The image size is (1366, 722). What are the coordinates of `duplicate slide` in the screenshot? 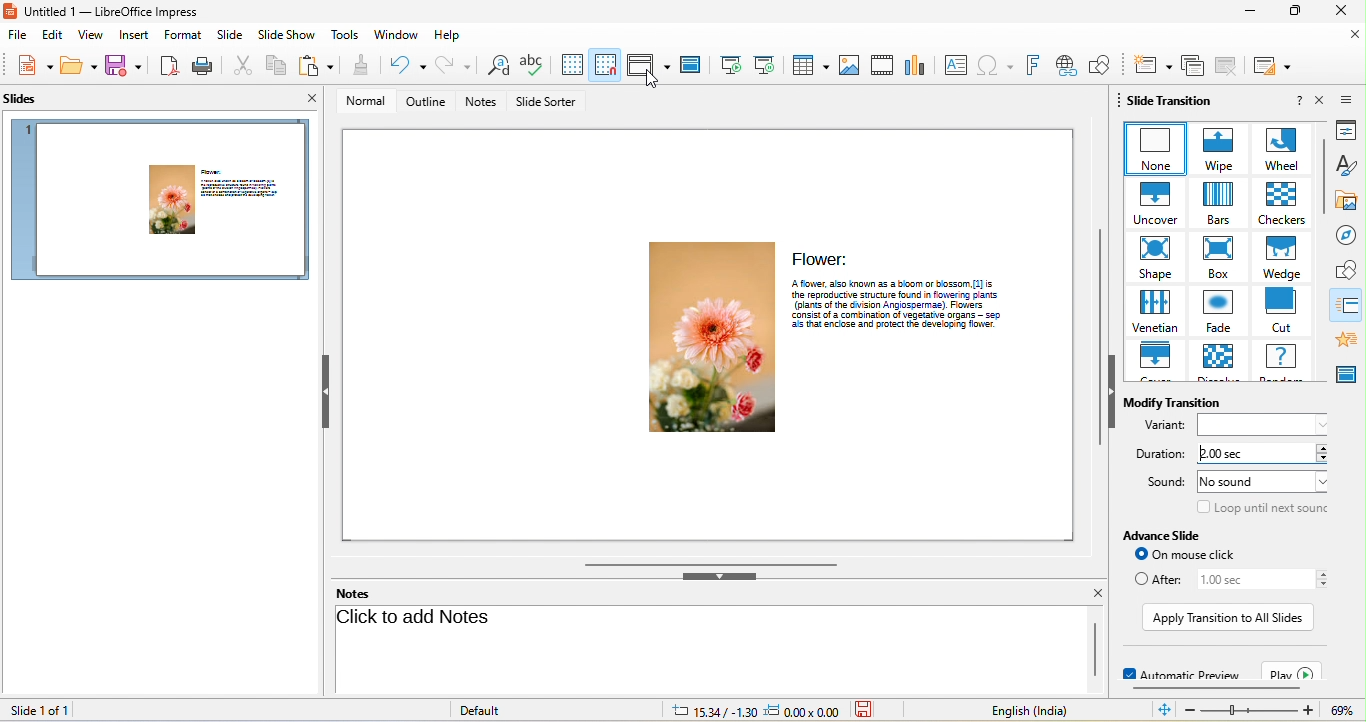 It's located at (1191, 65).